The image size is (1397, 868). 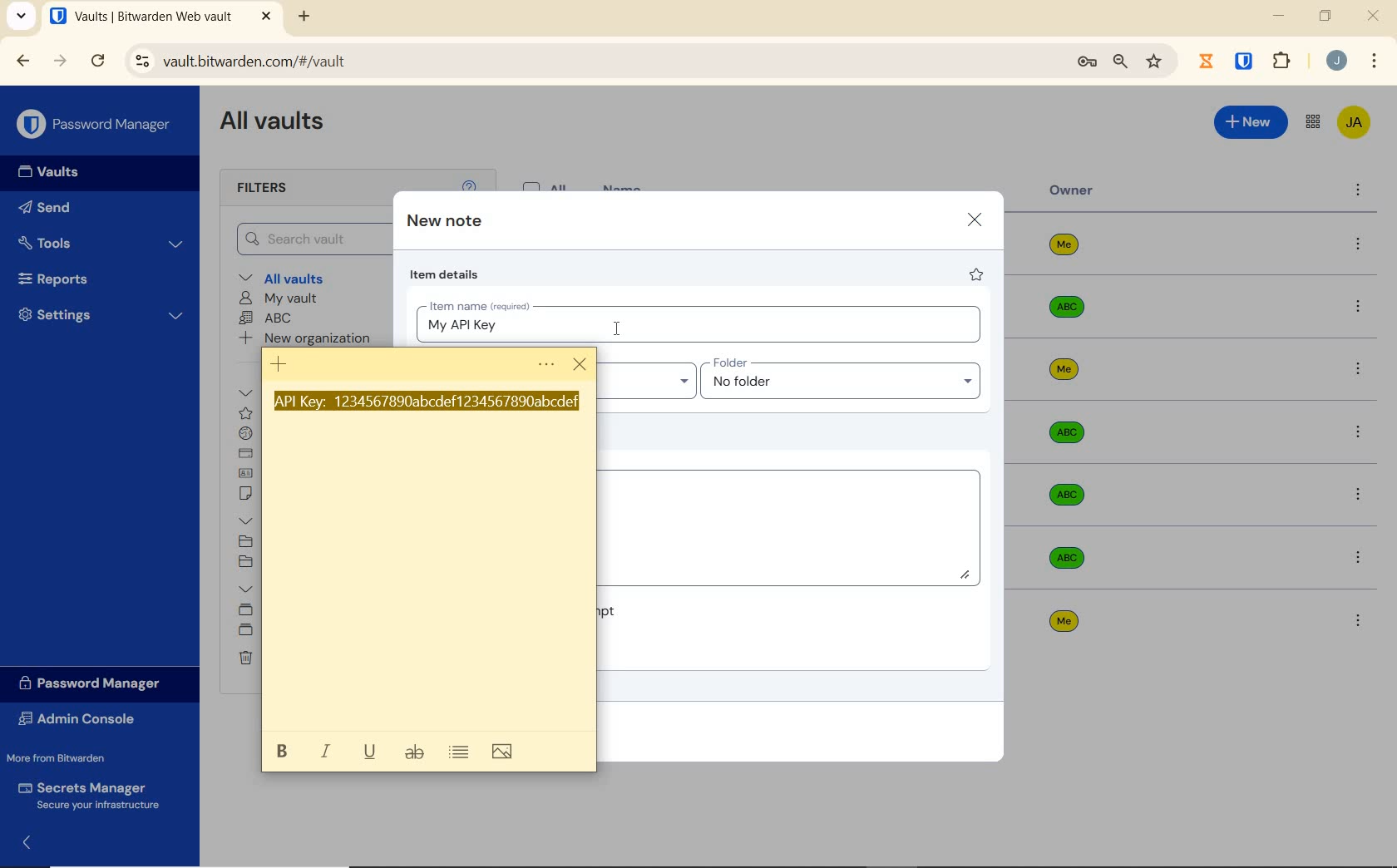 I want to click on Reports, so click(x=95, y=280).